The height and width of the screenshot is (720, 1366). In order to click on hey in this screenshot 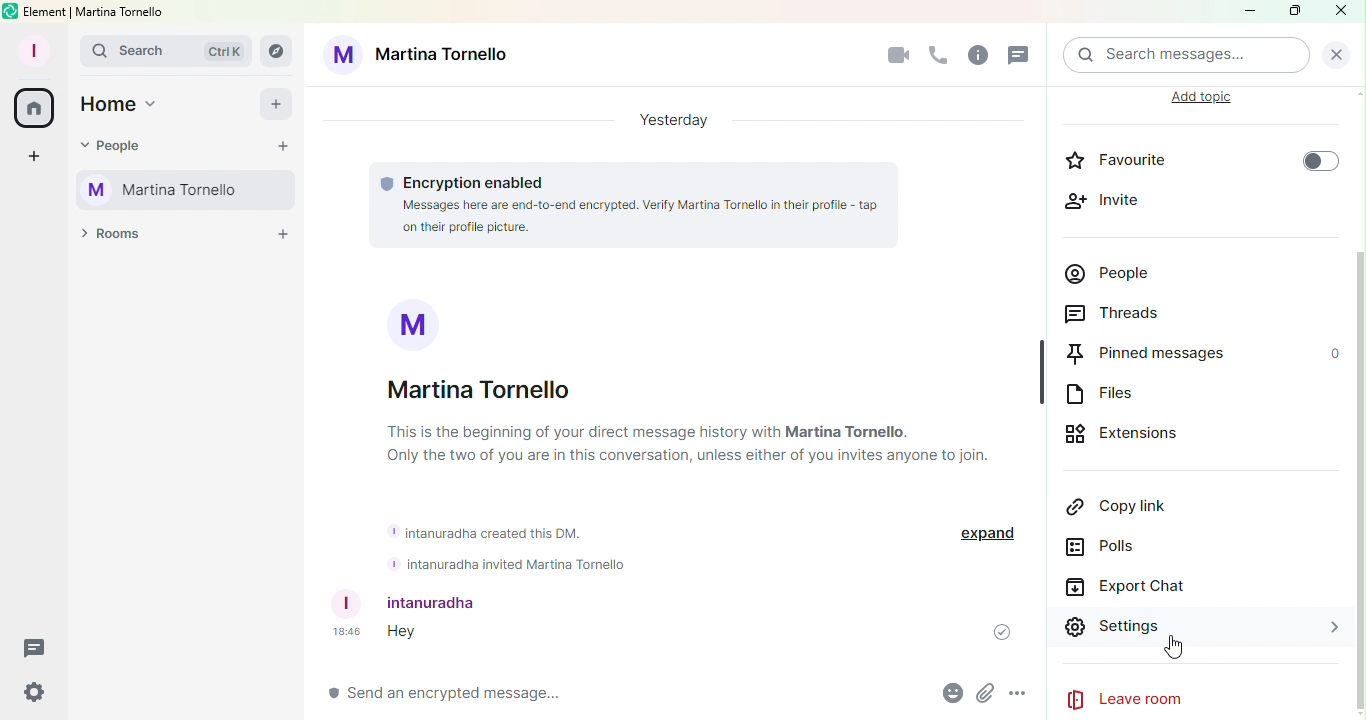, I will do `click(408, 632)`.